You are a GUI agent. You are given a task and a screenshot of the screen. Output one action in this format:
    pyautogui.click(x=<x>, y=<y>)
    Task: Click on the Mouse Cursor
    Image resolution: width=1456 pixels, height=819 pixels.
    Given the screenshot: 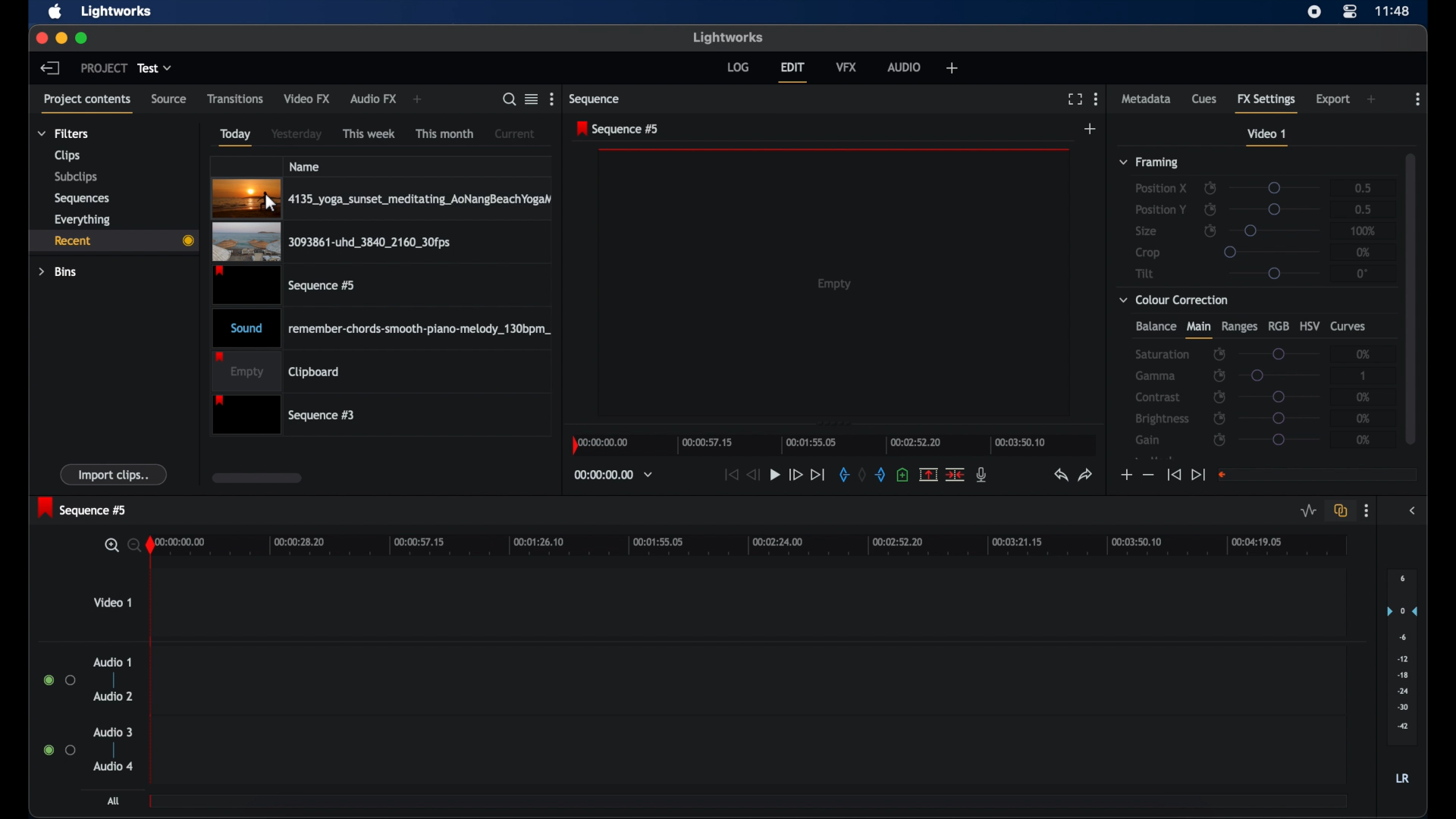 What is the action you would take?
    pyautogui.click(x=268, y=202)
    